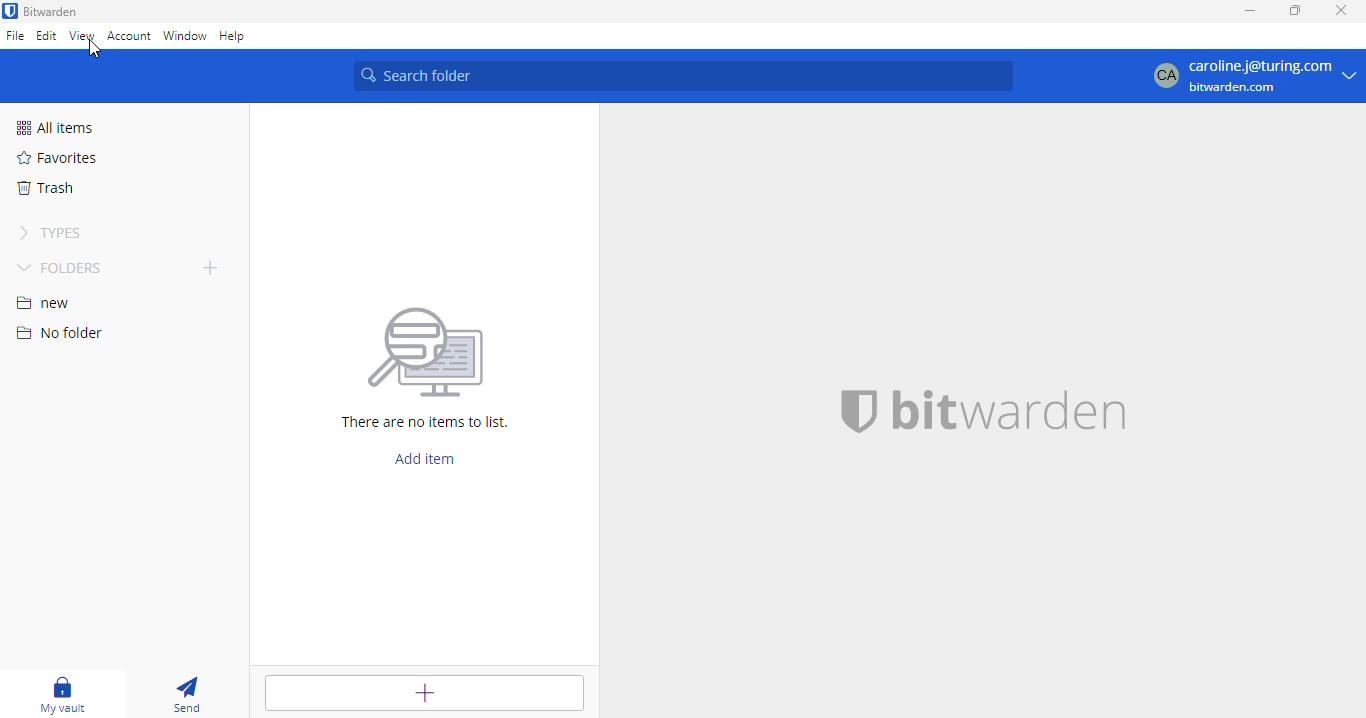 This screenshot has width=1366, height=718. Describe the element at coordinates (185, 36) in the screenshot. I see `window` at that location.